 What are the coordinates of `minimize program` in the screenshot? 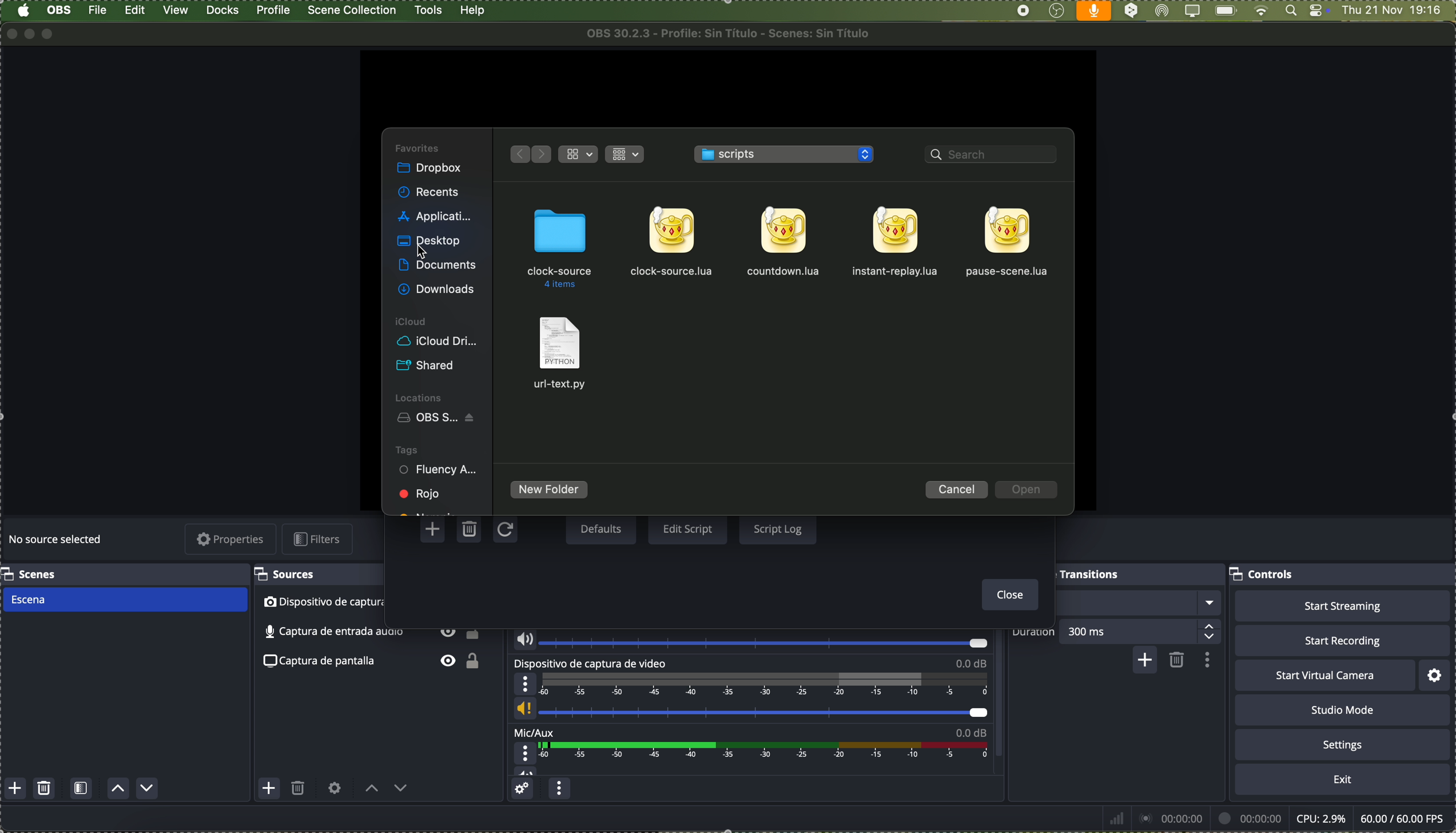 It's located at (30, 33).